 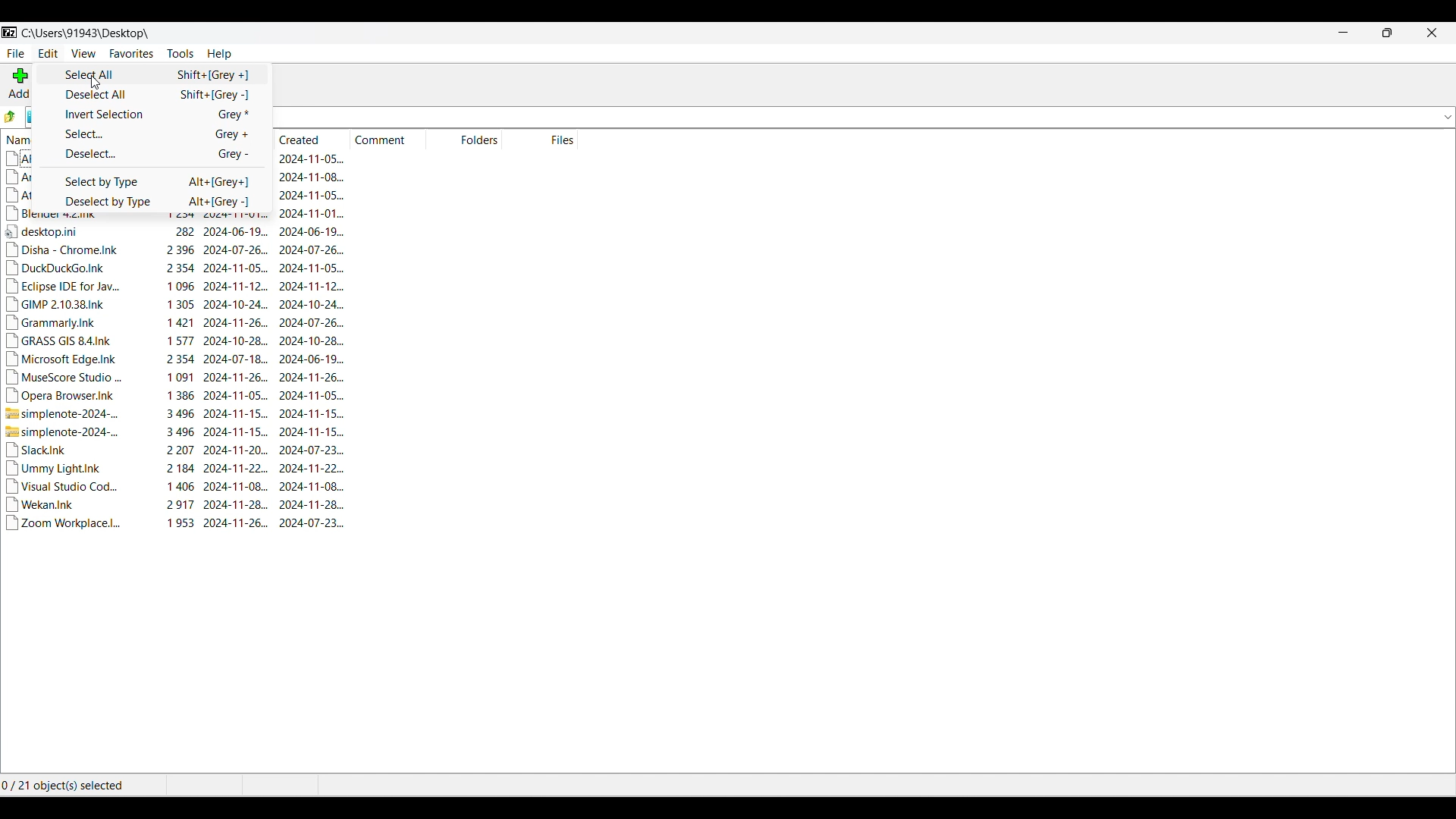 What do you see at coordinates (540, 139) in the screenshot?
I see `Files column` at bounding box center [540, 139].